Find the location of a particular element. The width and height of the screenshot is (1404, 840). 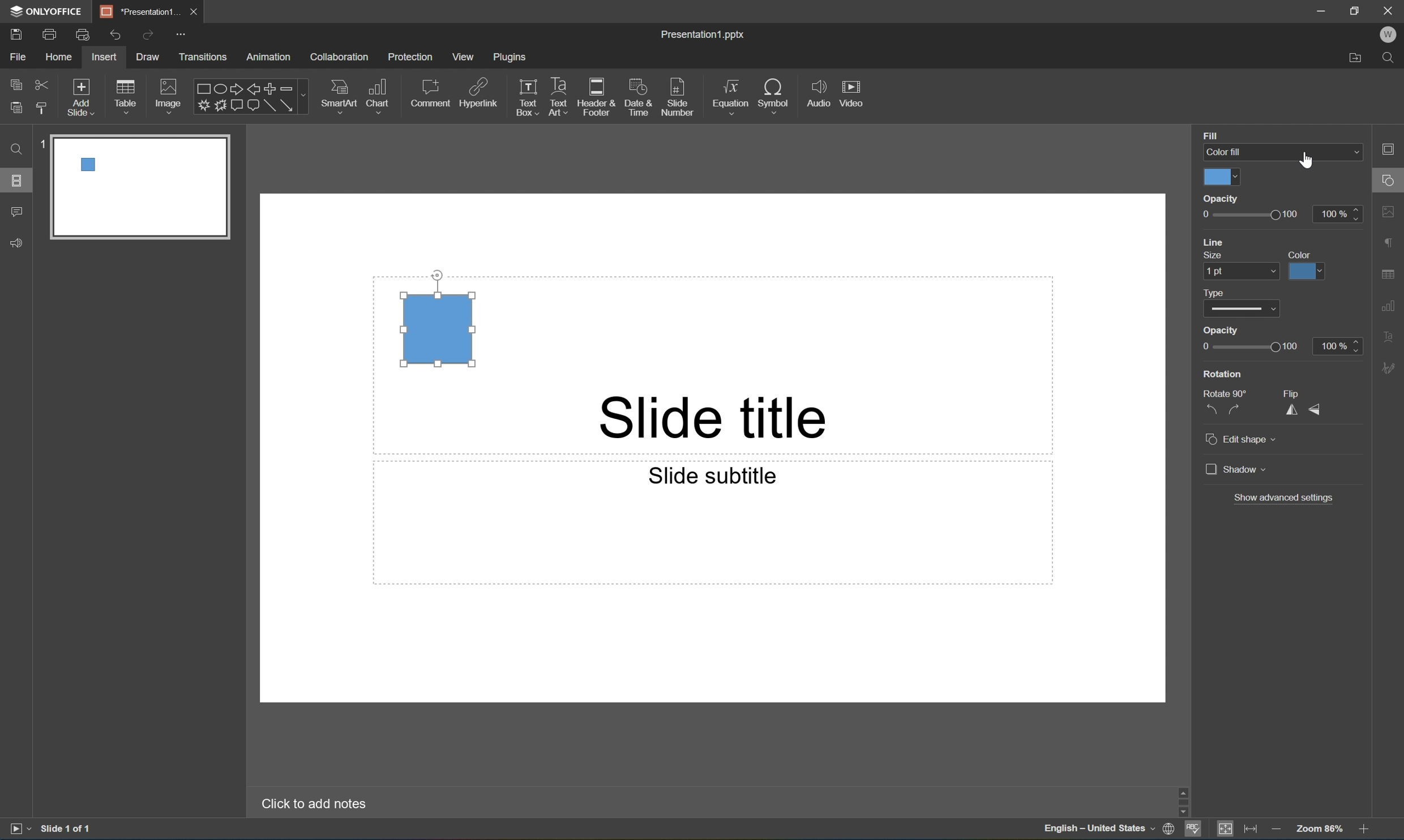

Right arrow is located at coordinates (234, 89).